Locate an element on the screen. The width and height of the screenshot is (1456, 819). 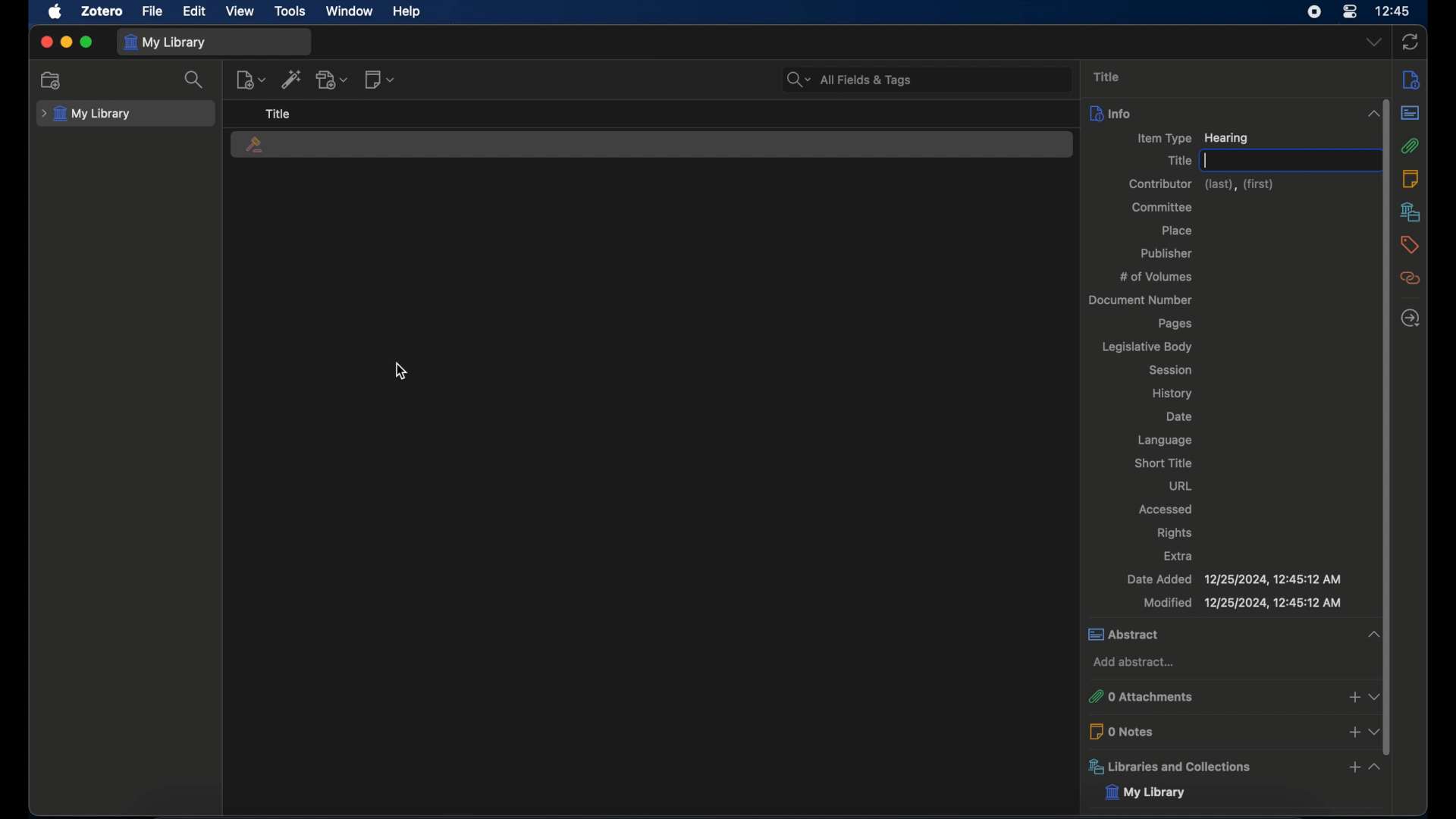
hearing is located at coordinates (254, 146).